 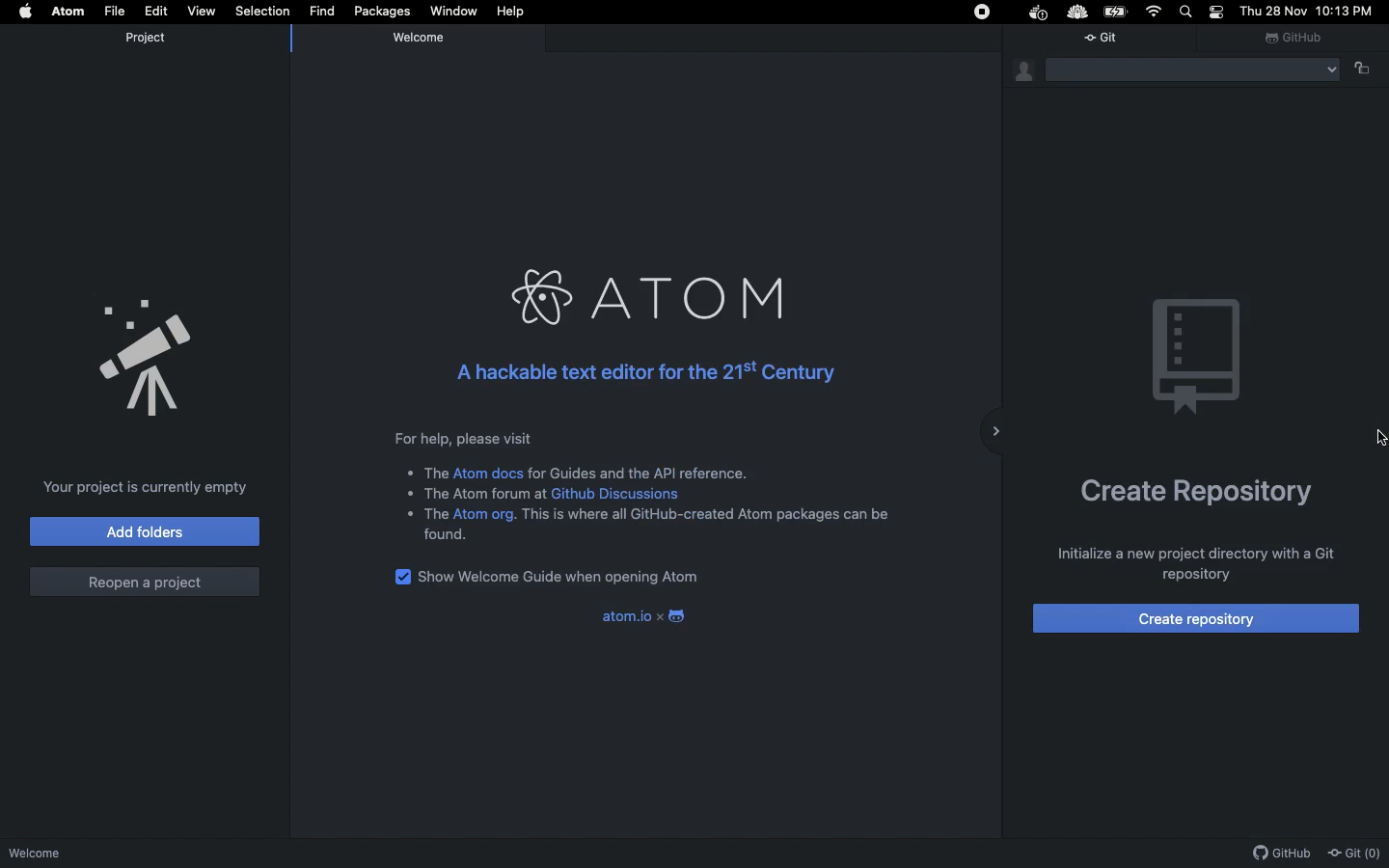 What do you see at coordinates (153, 40) in the screenshot?
I see `Project` at bounding box center [153, 40].